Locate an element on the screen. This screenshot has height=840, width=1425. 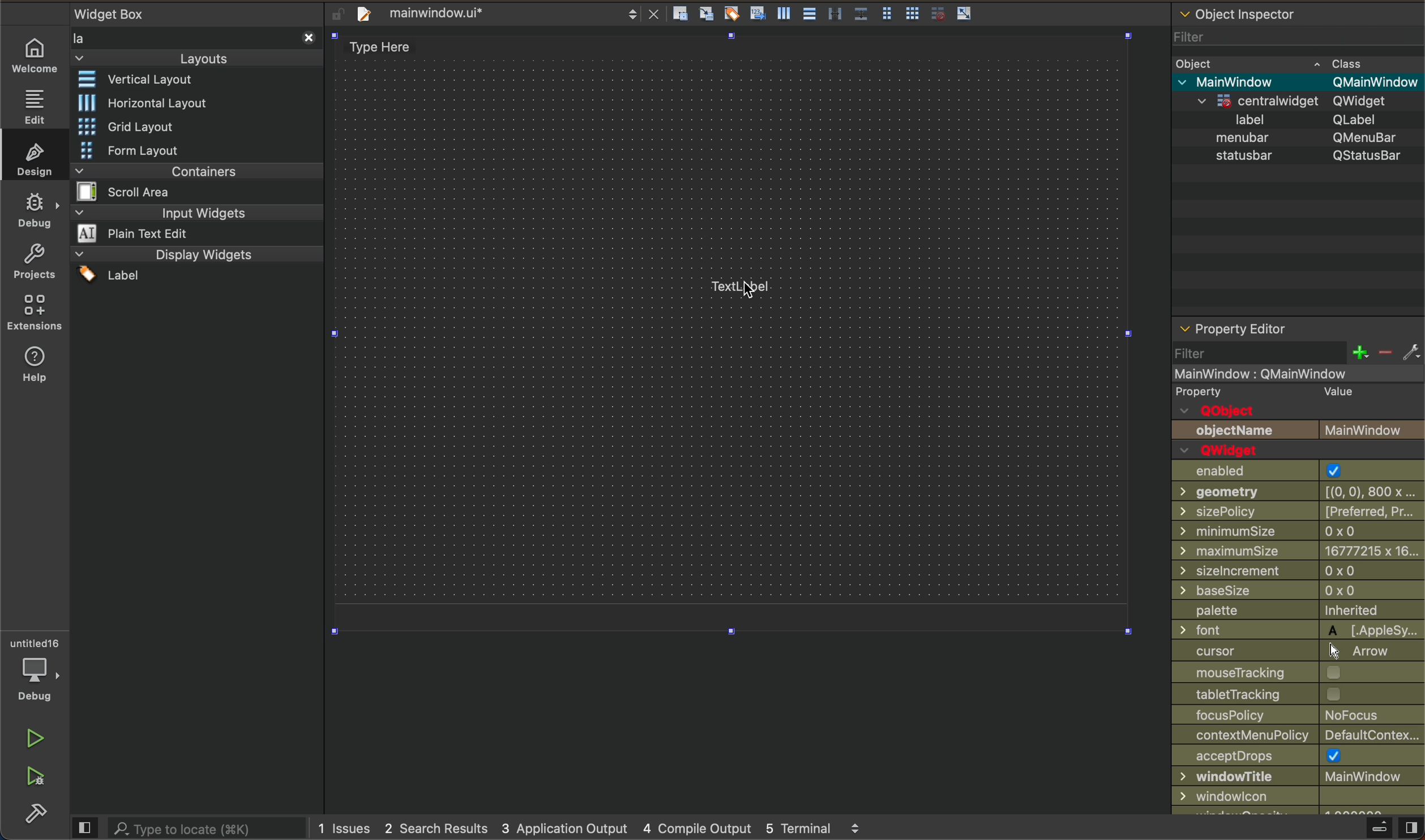
containers is located at coordinates (190, 190).